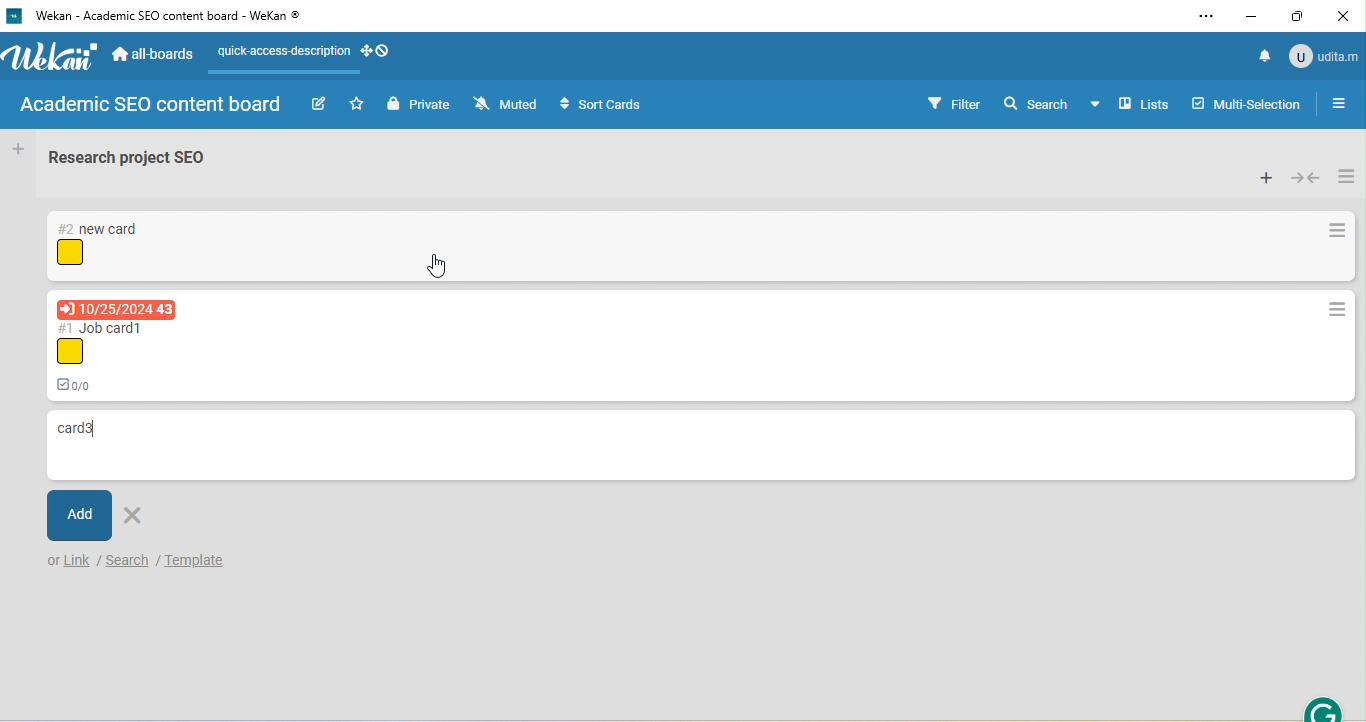 The height and width of the screenshot is (722, 1366). What do you see at coordinates (438, 265) in the screenshot?
I see `cursor` at bounding box center [438, 265].